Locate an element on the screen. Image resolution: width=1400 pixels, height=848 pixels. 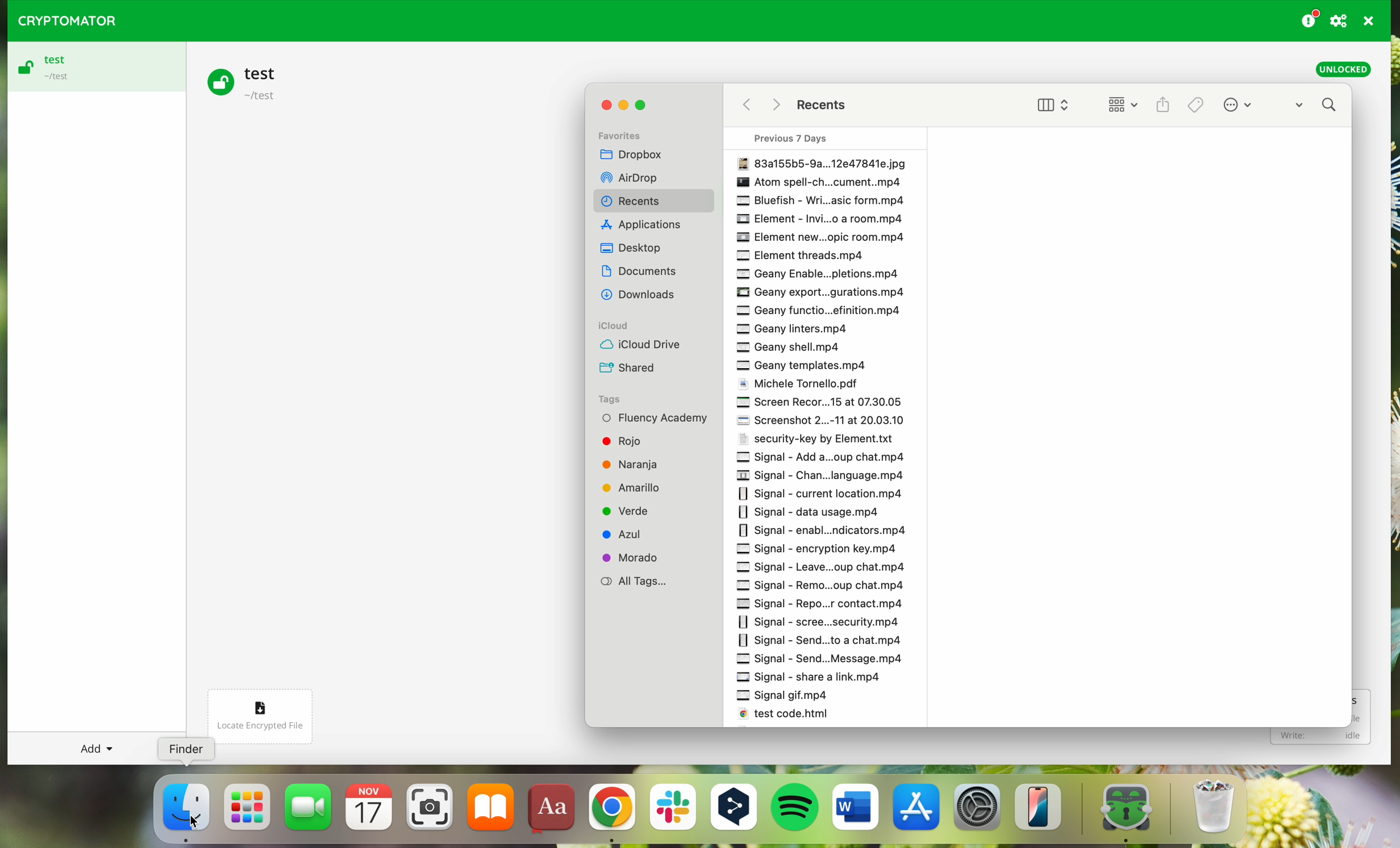
back is located at coordinates (745, 107).